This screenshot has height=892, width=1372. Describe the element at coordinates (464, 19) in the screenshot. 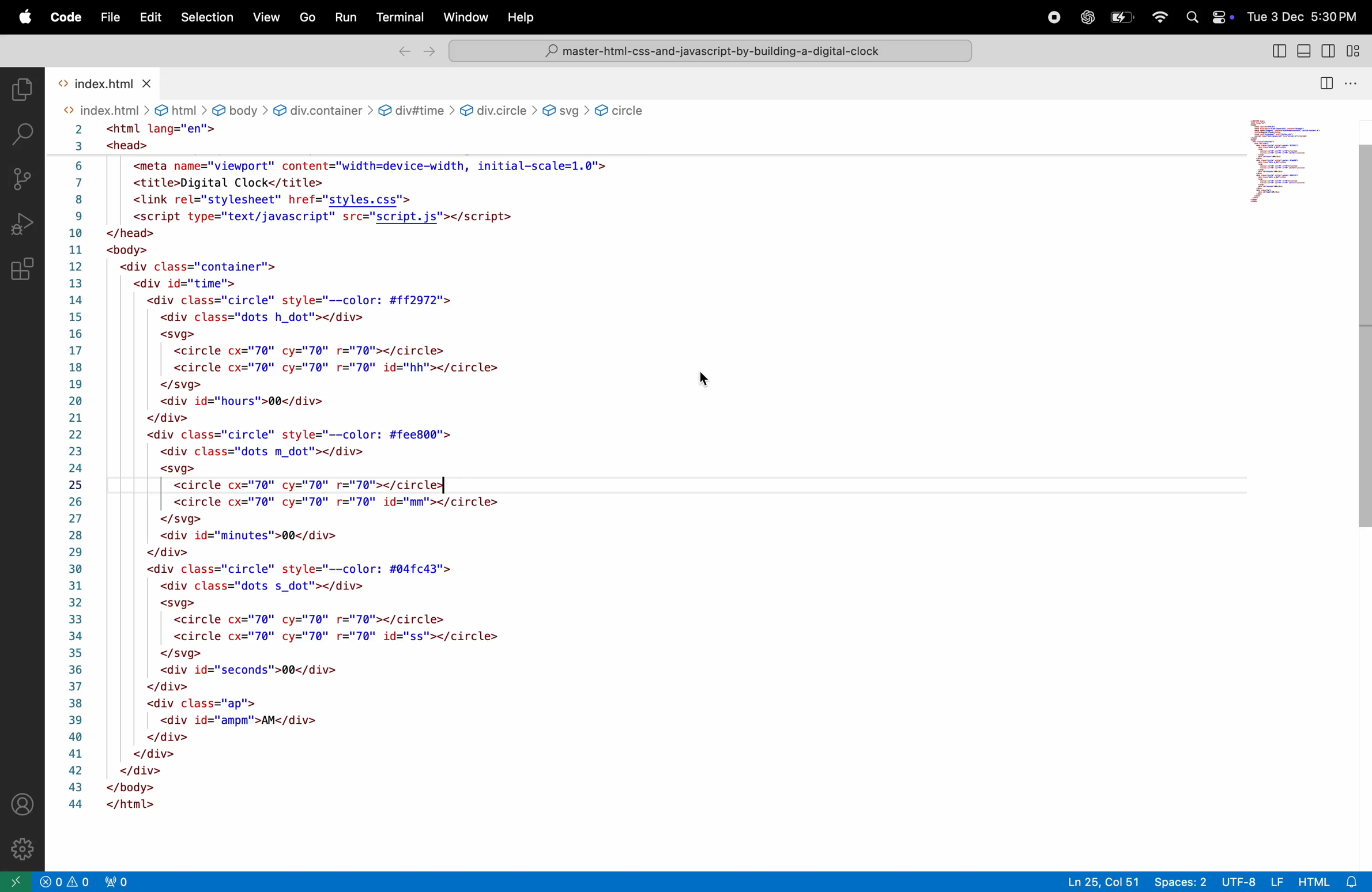

I see `window` at that location.